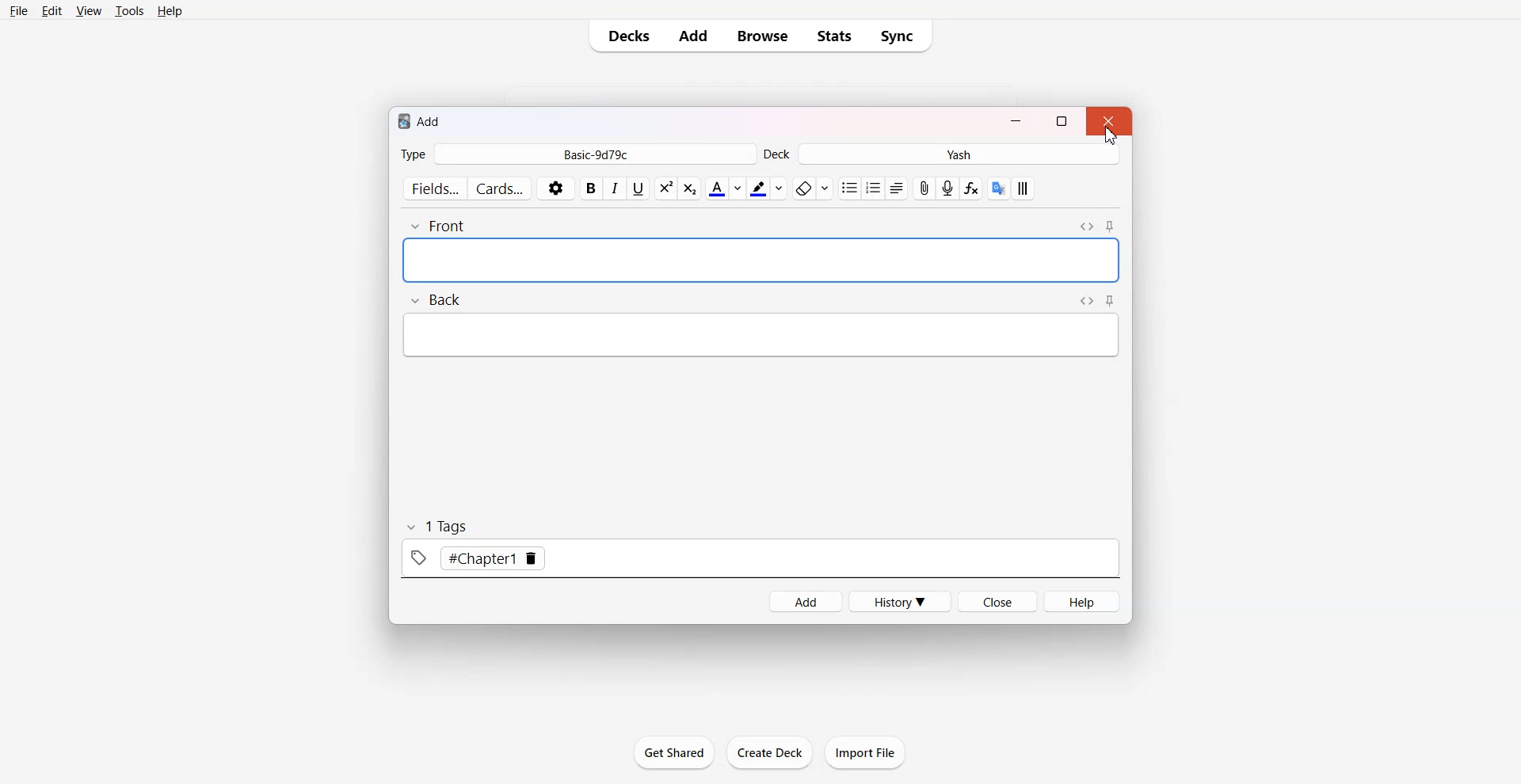 The width and height of the screenshot is (1521, 784). I want to click on Tools, so click(130, 12).